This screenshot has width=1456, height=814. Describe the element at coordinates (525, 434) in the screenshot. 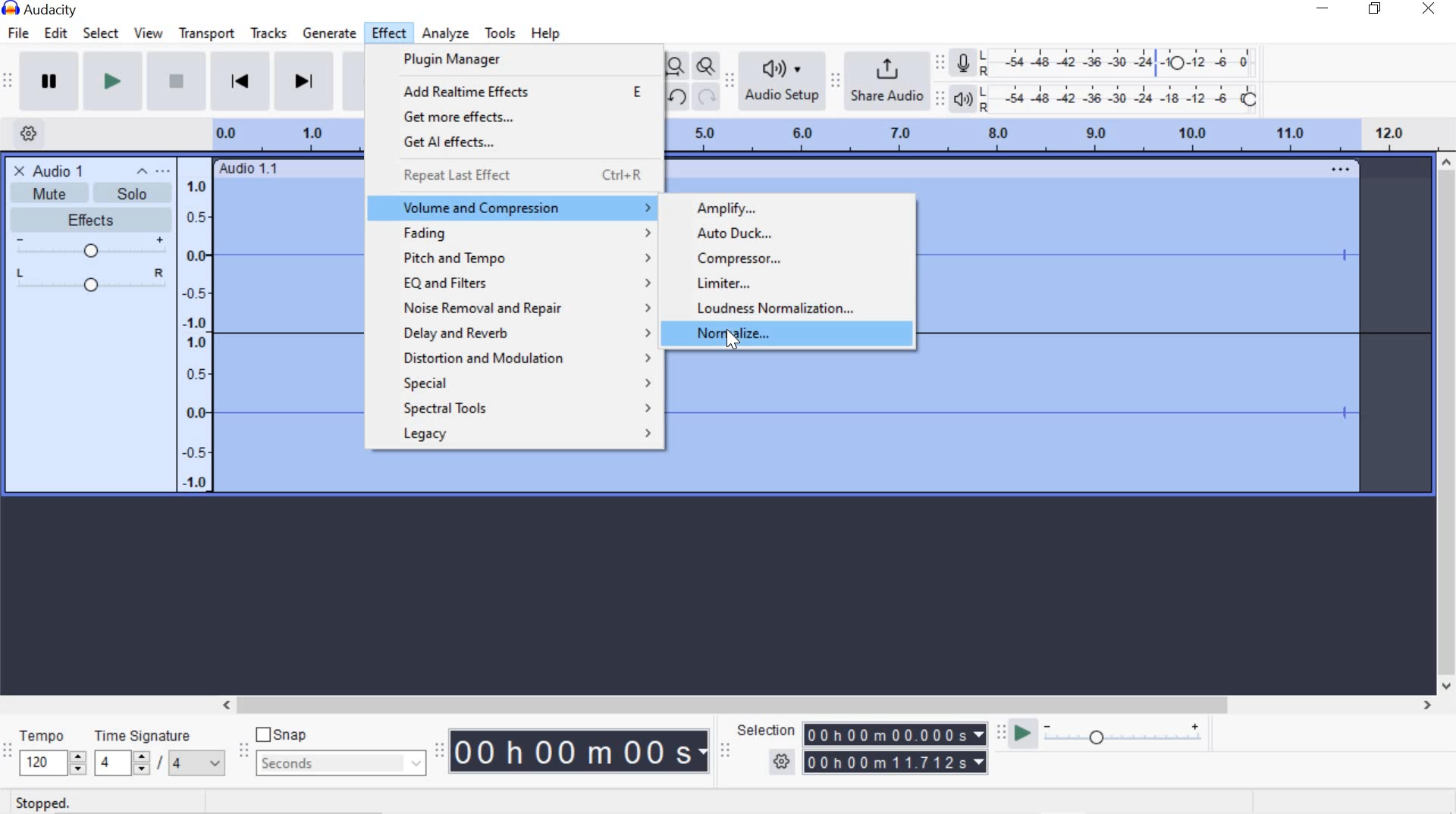

I see `legacy` at that location.